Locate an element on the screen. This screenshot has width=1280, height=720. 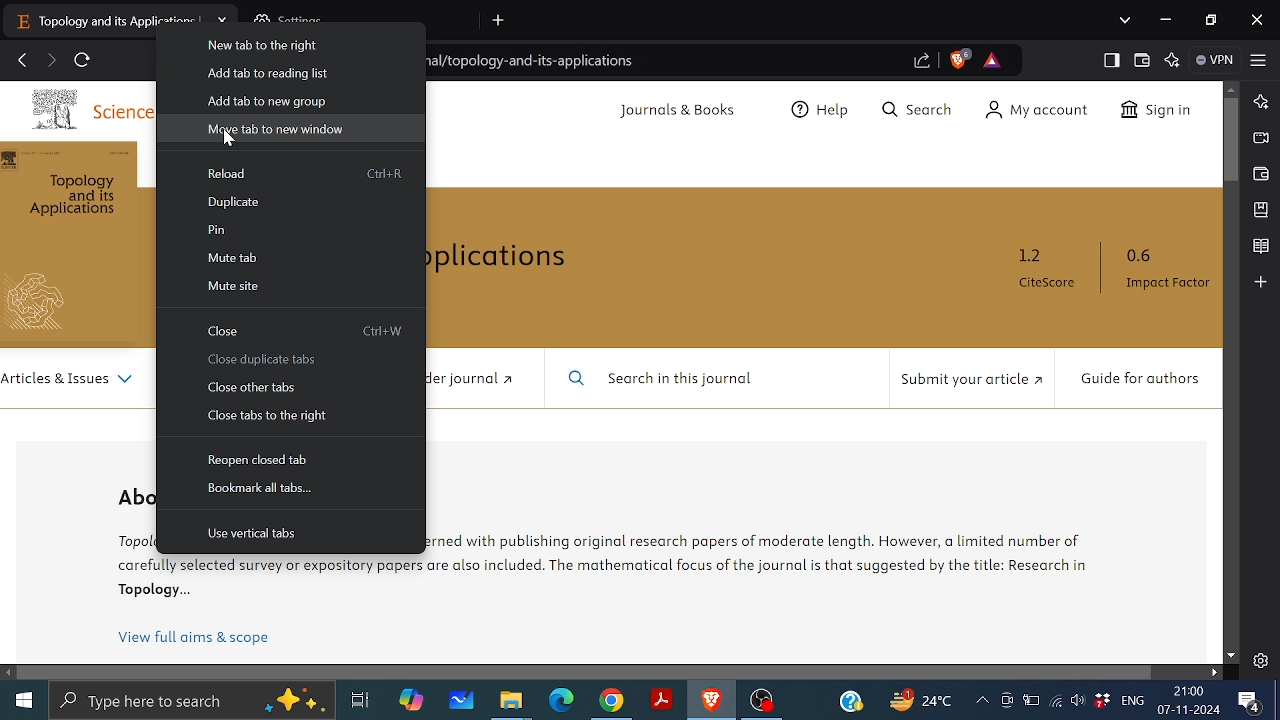
Bookmarks is located at coordinates (1260, 210).